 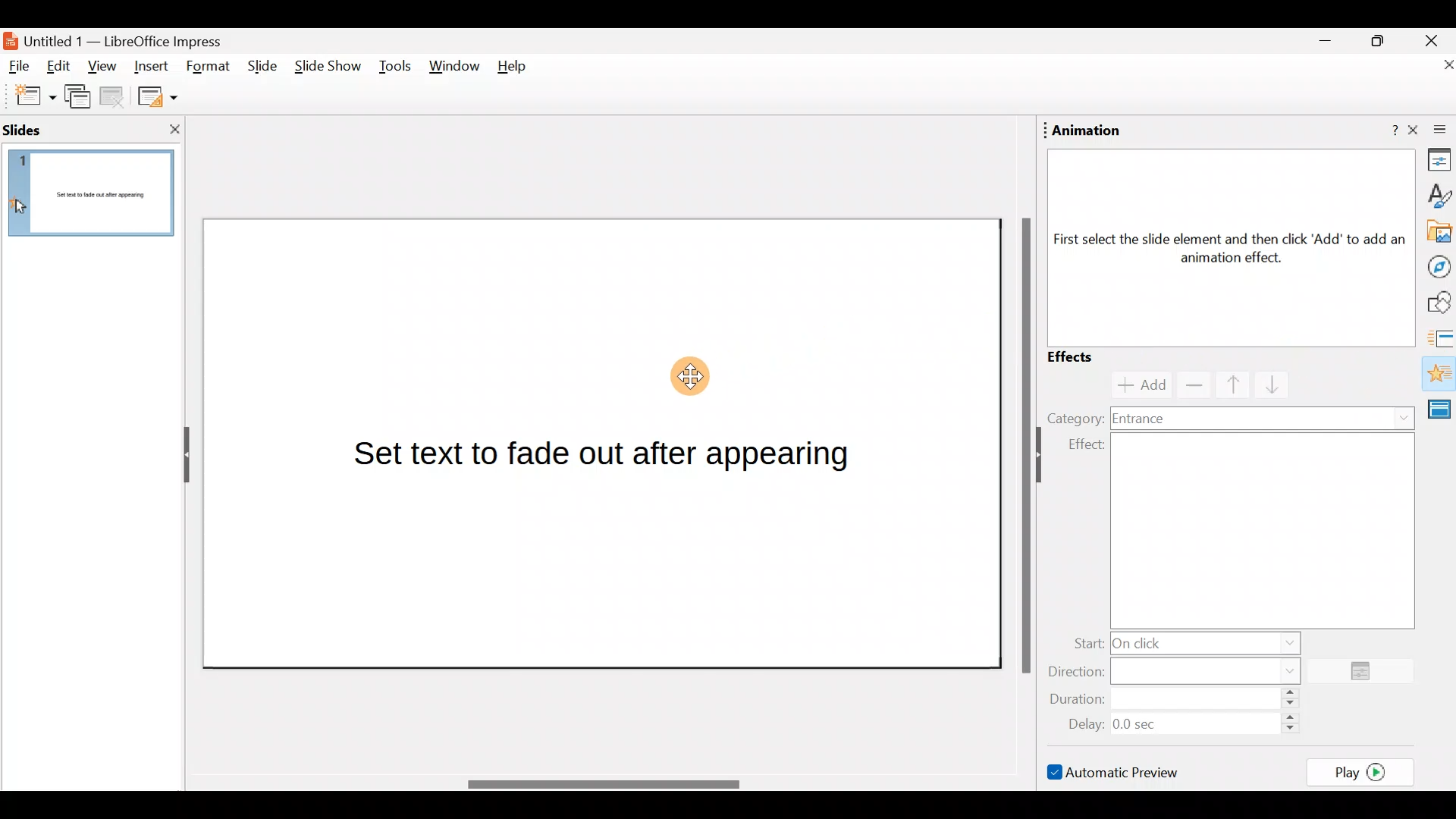 I want to click on Start, so click(x=1182, y=642).